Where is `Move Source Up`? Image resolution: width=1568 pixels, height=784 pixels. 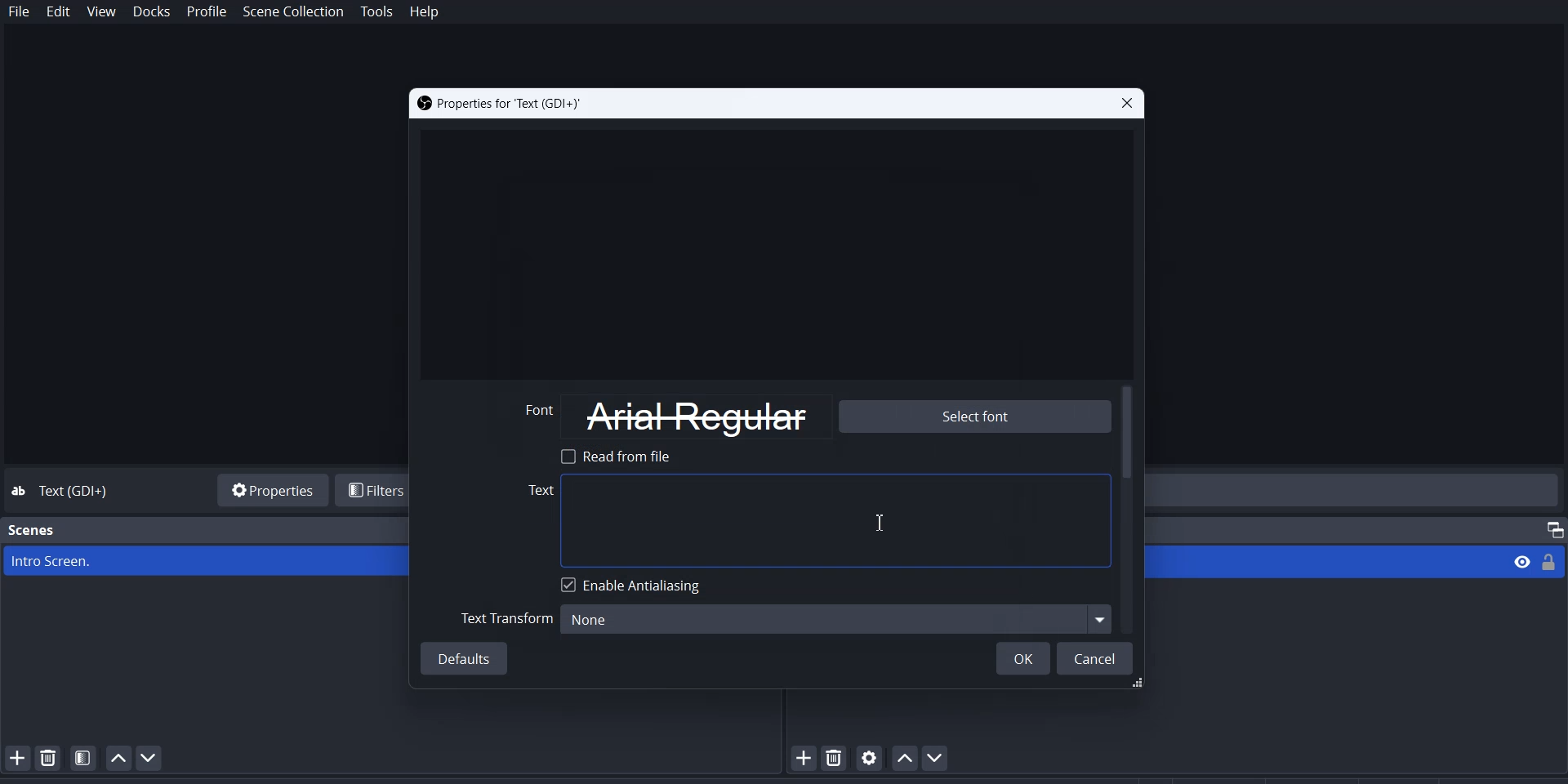
Move Source Up is located at coordinates (903, 757).